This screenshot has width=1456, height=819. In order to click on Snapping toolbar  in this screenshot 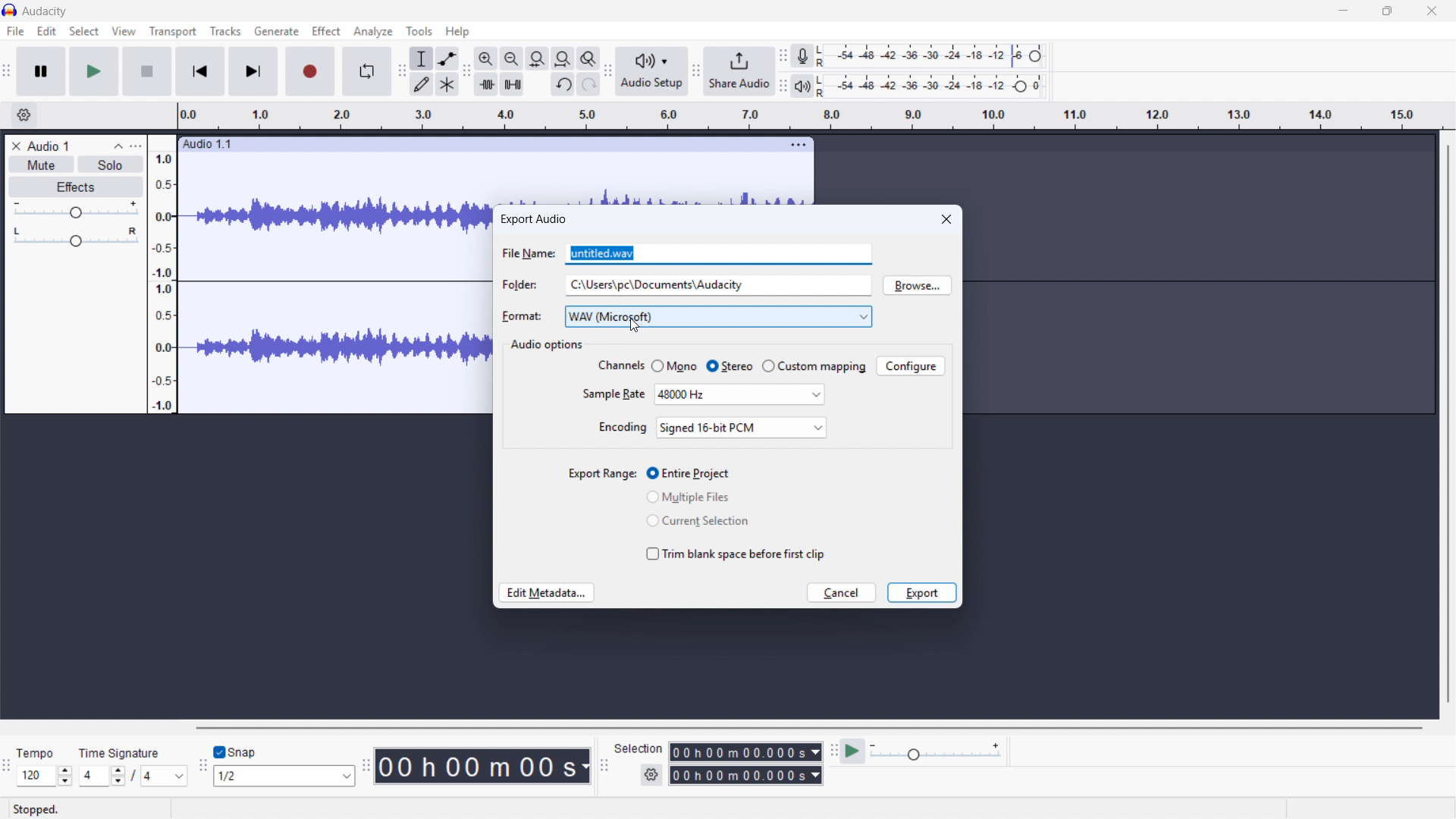, I will do `click(203, 765)`.